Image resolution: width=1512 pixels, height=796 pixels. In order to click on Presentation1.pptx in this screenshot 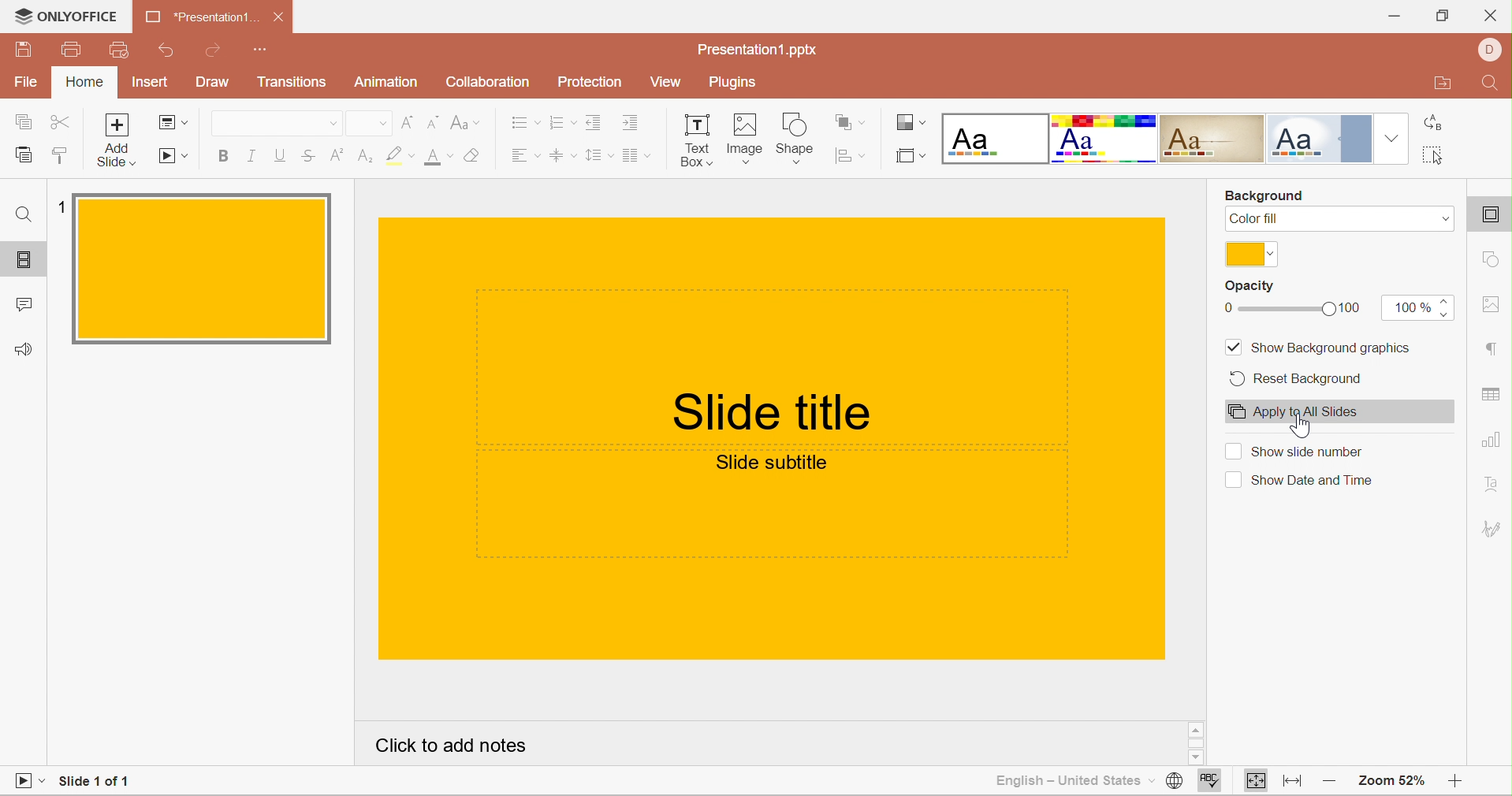, I will do `click(758, 49)`.